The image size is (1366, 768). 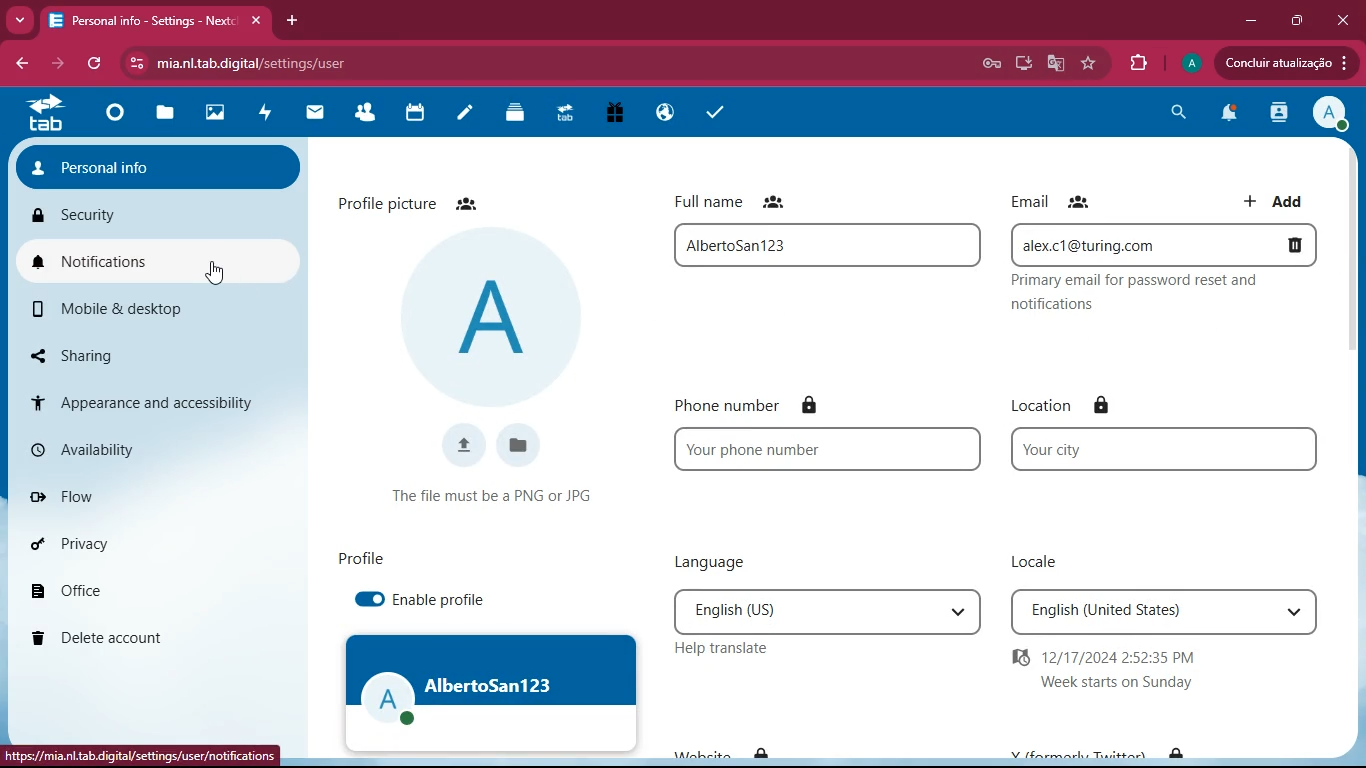 What do you see at coordinates (1057, 202) in the screenshot?
I see `email` at bounding box center [1057, 202].